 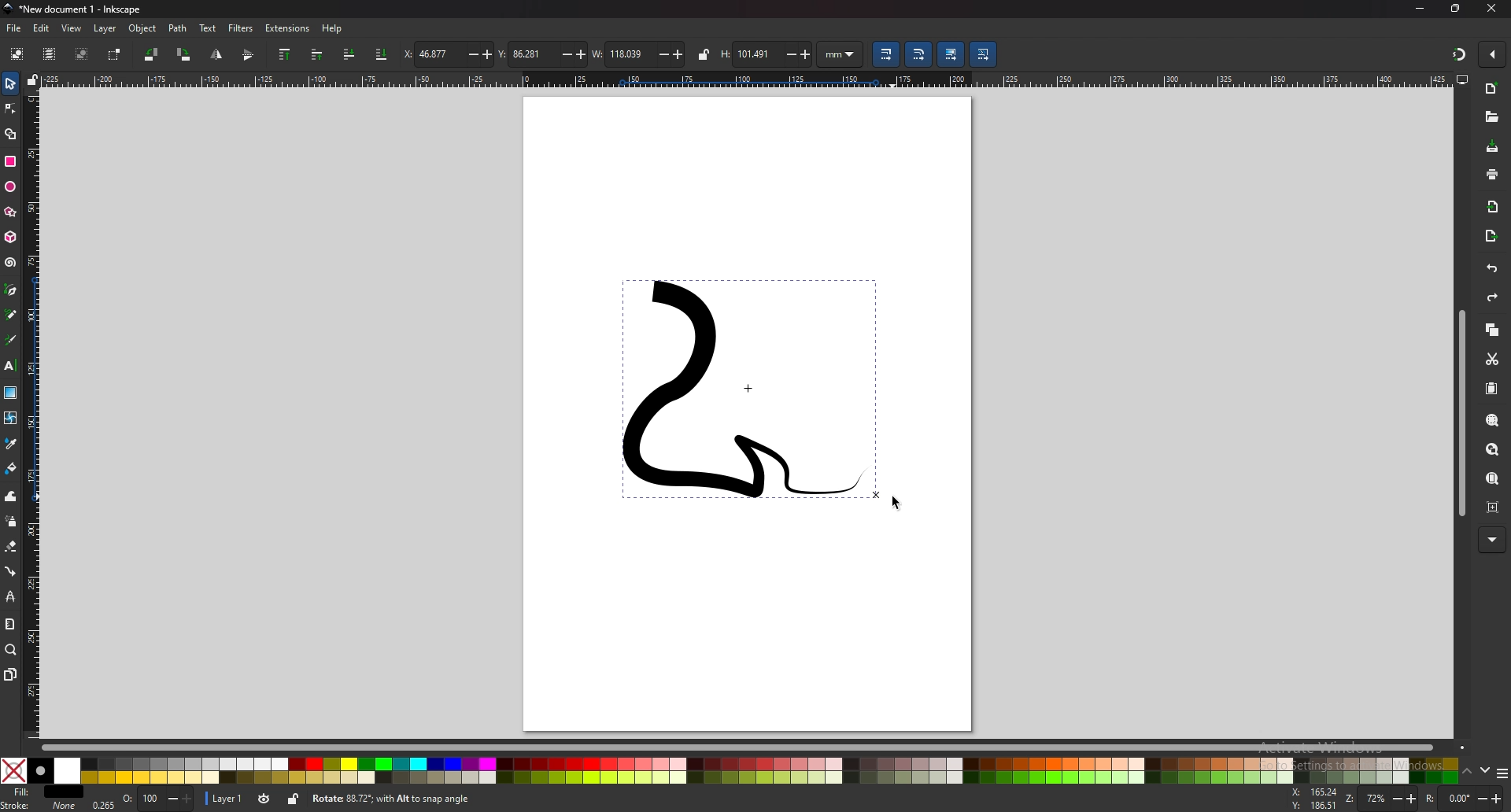 What do you see at coordinates (13, 28) in the screenshot?
I see `file` at bounding box center [13, 28].